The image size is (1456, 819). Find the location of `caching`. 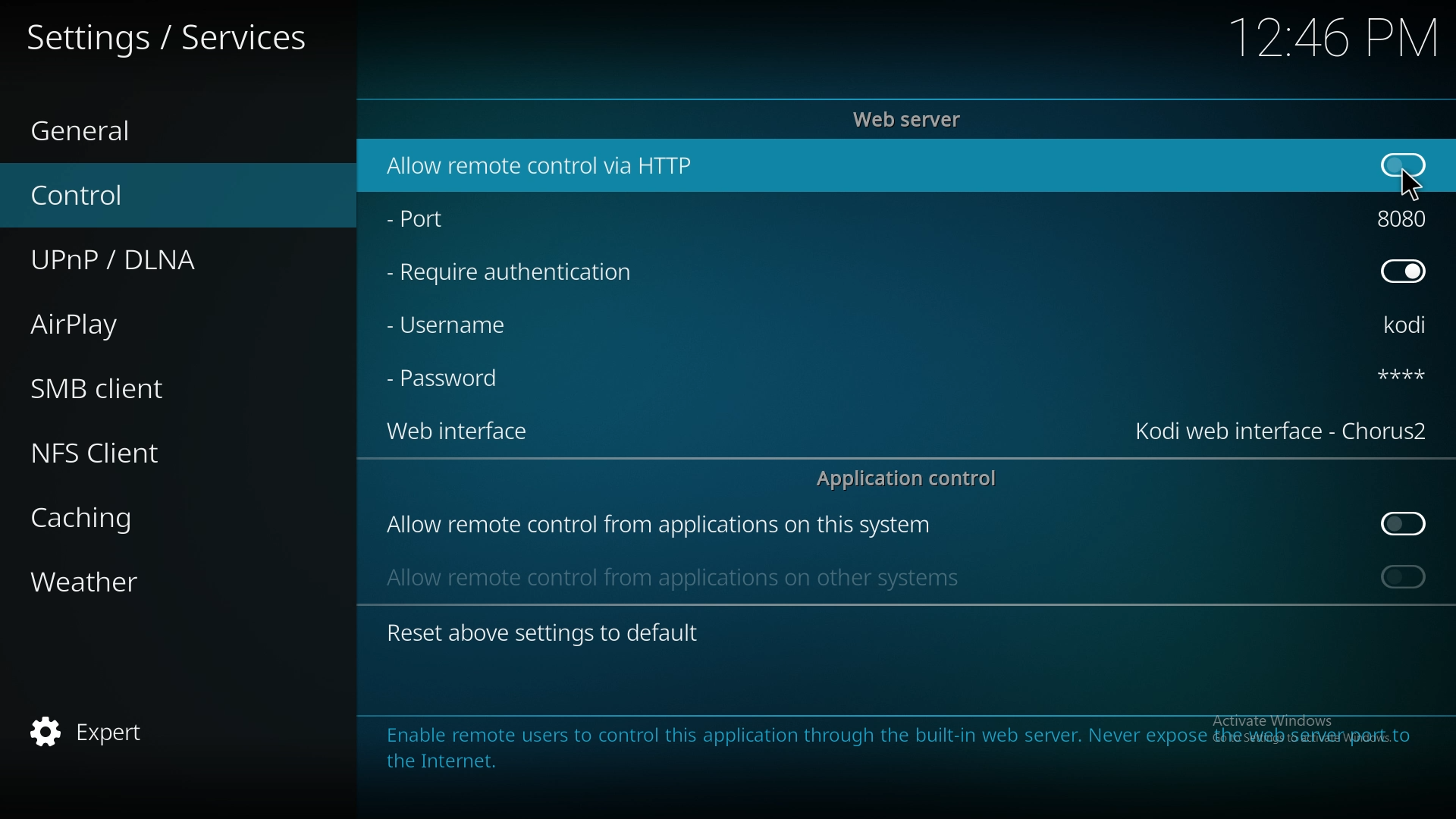

caching is located at coordinates (139, 518).